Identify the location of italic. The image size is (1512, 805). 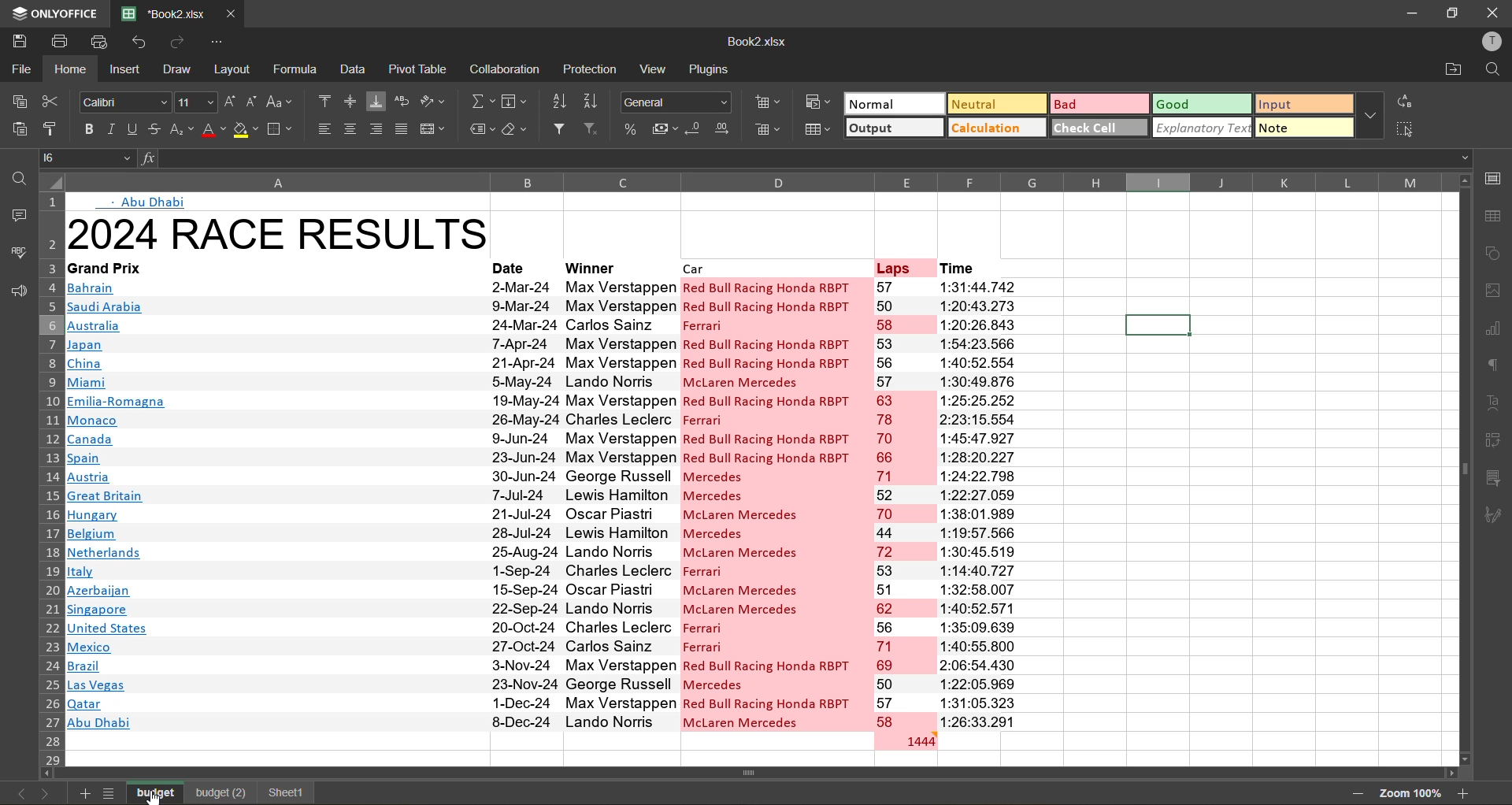
(110, 130).